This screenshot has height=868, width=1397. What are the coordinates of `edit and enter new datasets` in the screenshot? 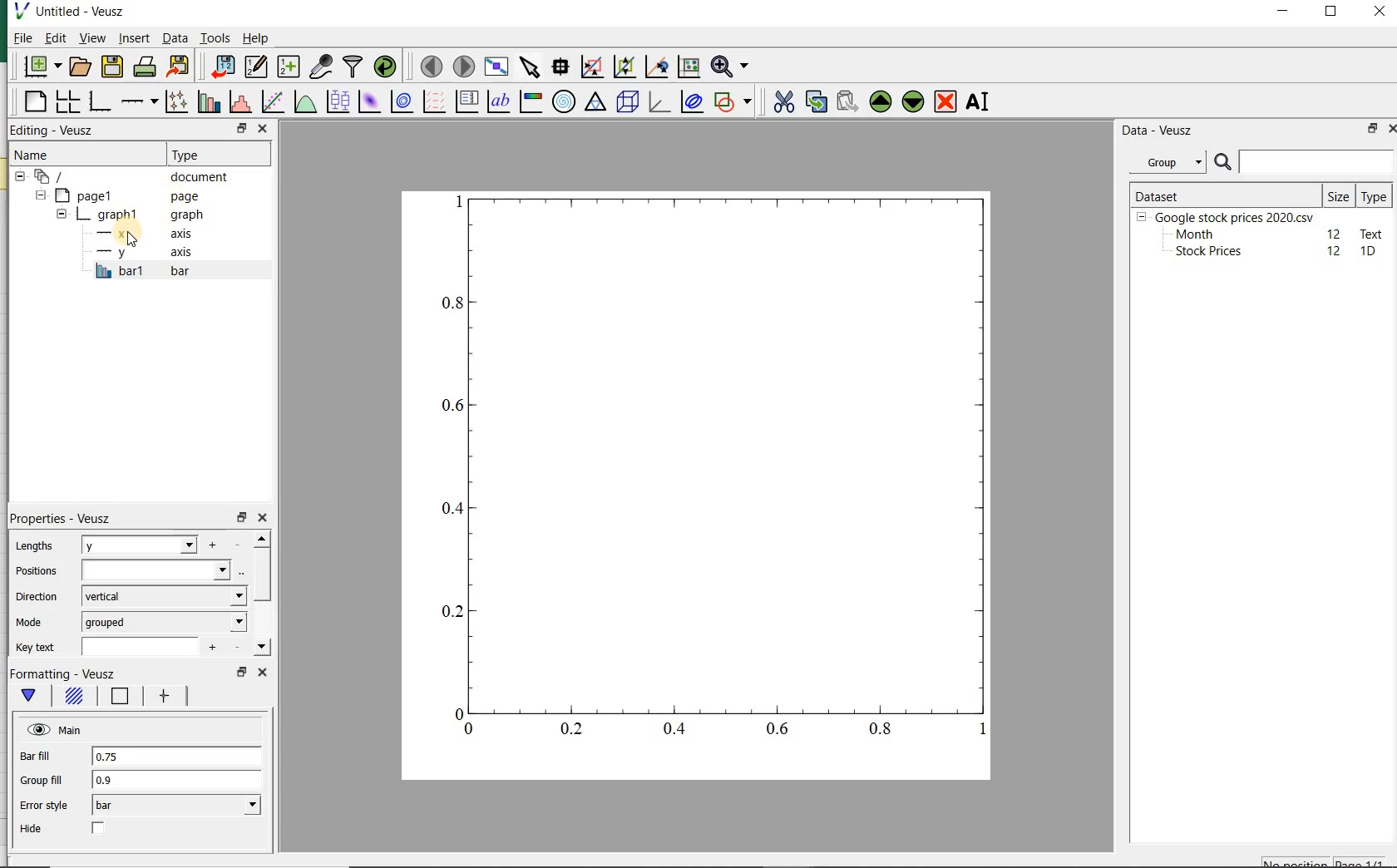 It's located at (255, 67).